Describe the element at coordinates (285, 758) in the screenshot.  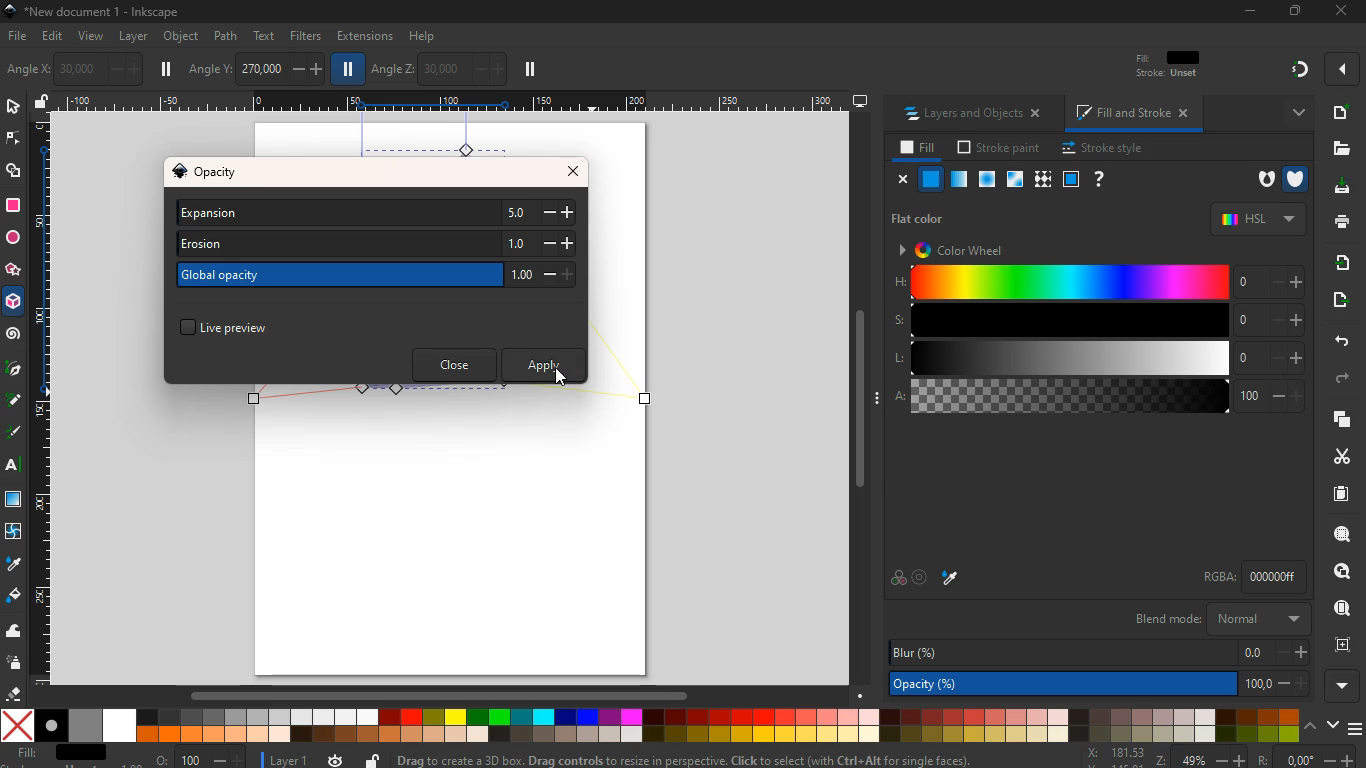
I see `layer` at that location.